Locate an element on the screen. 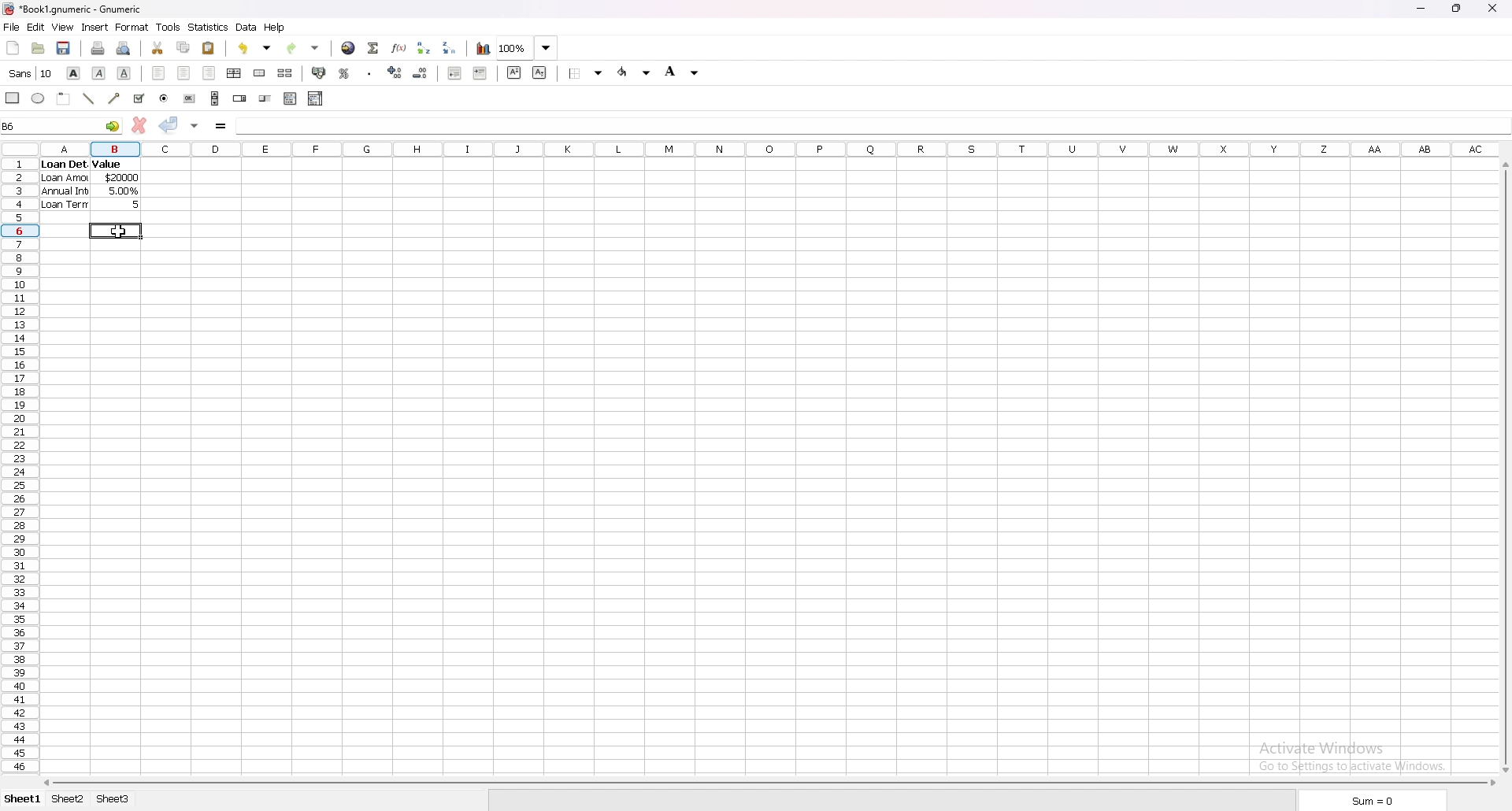  superscript is located at coordinates (513, 72).